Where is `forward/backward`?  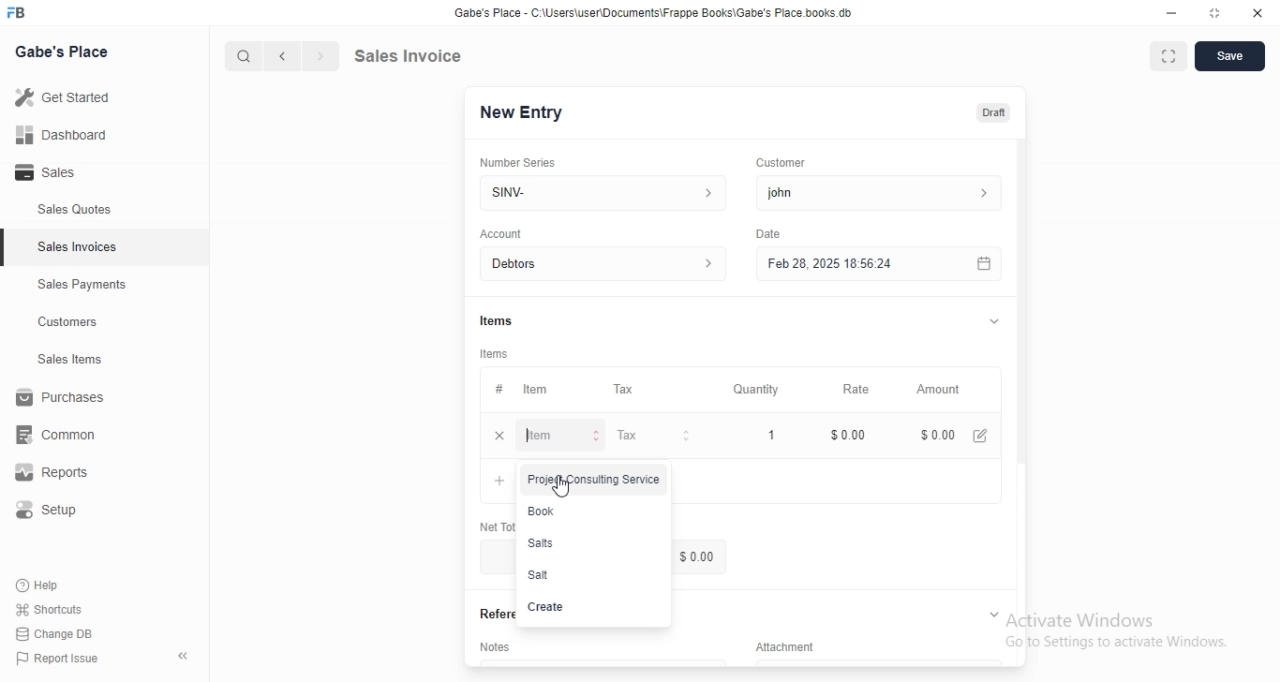 forward/backward is located at coordinates (300, 56).